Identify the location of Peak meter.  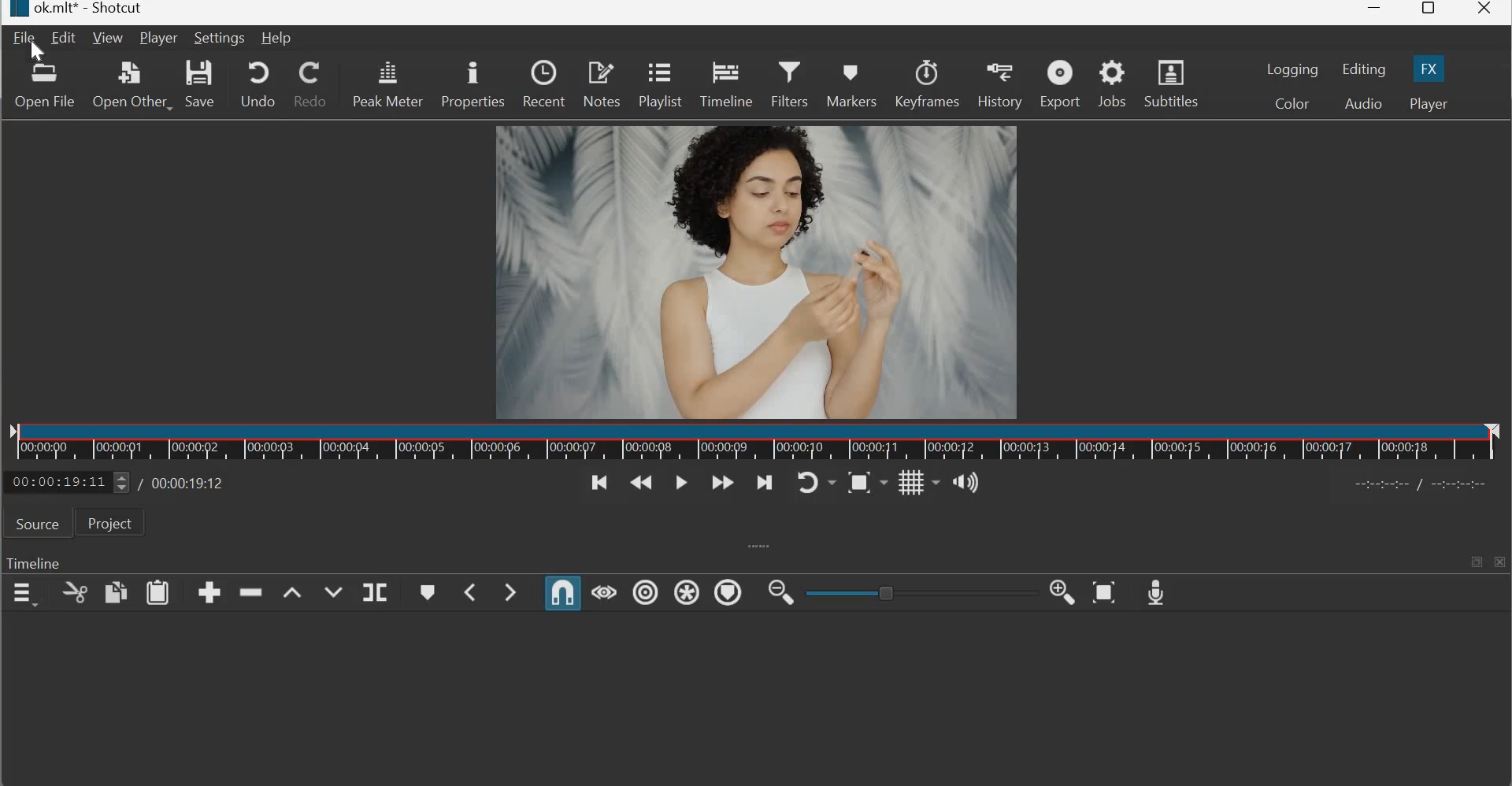
(387, 83).